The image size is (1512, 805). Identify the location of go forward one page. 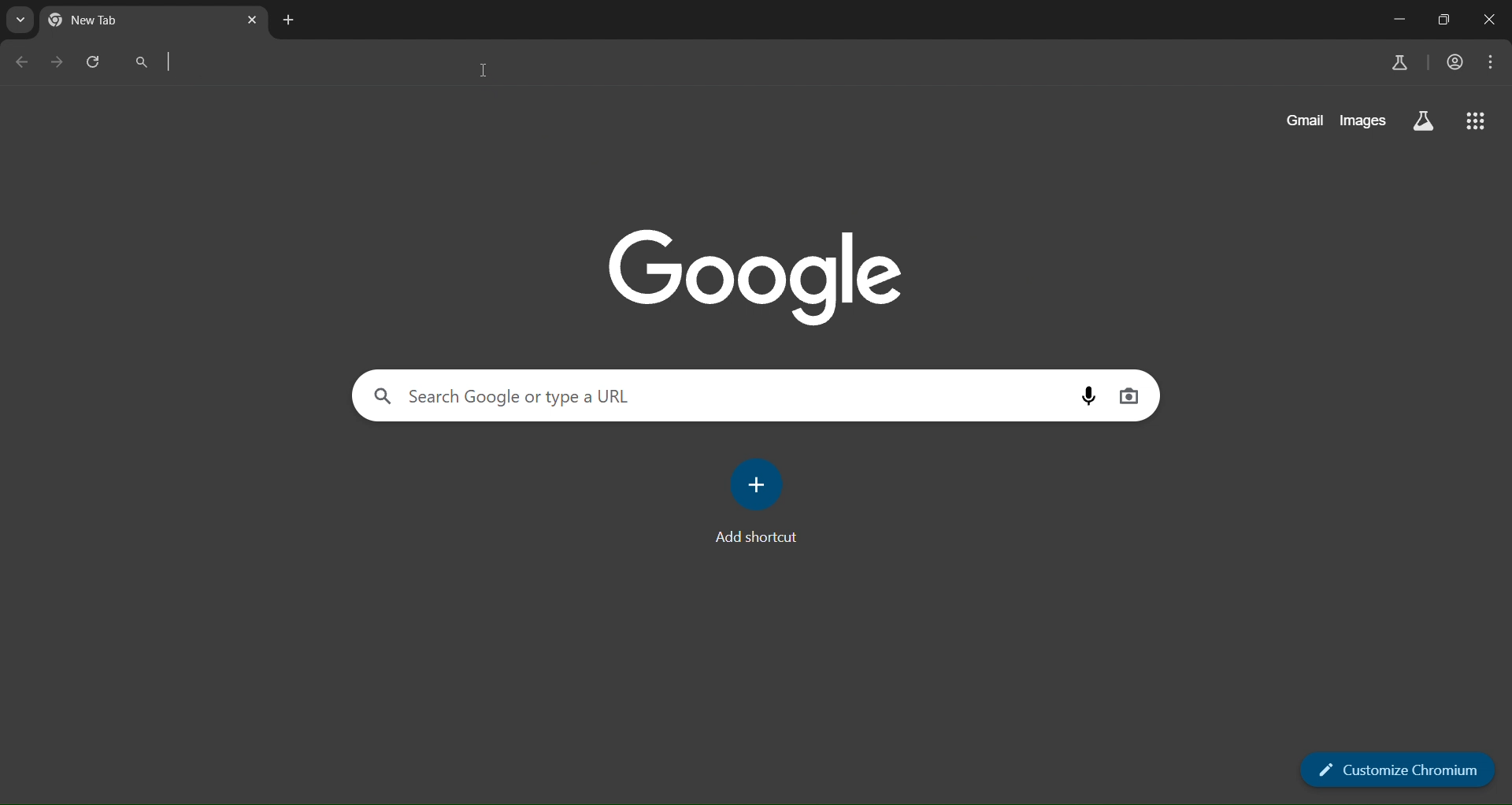
(57, 63).